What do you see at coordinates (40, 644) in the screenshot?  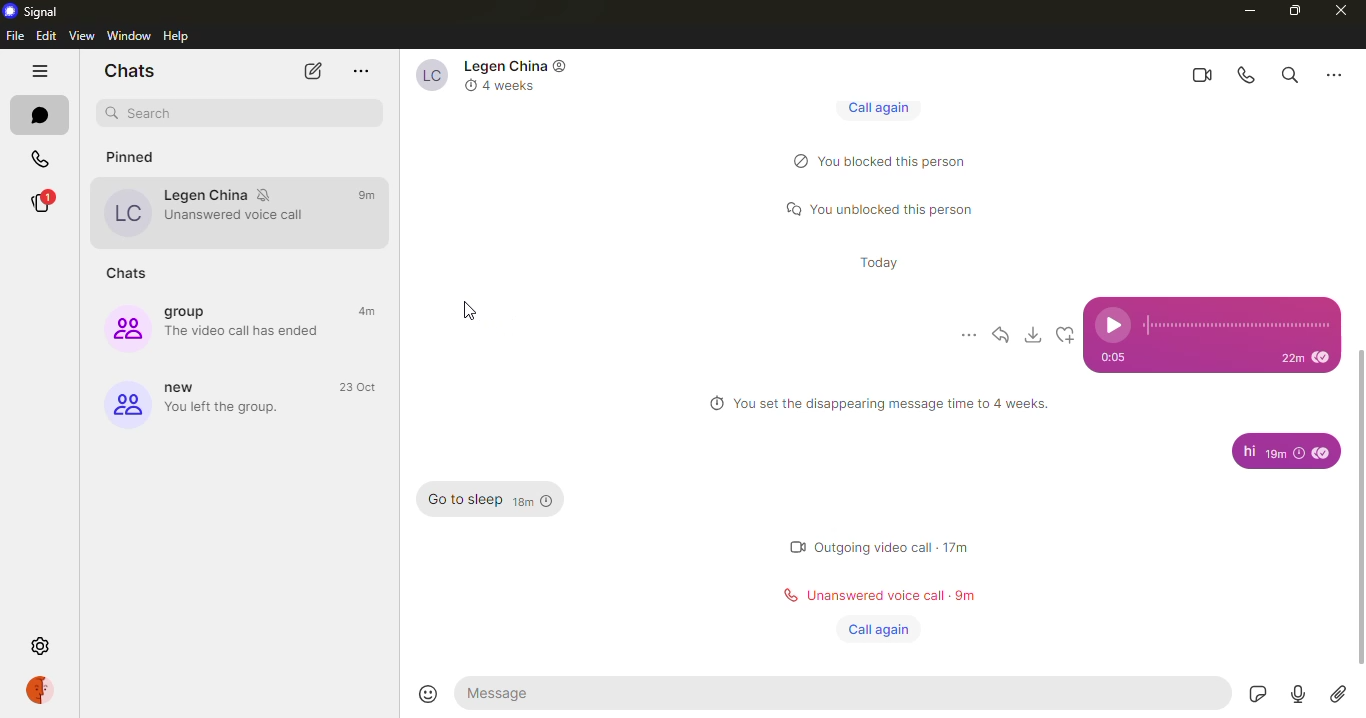 I see `settings` at bounding box center [40, 644].